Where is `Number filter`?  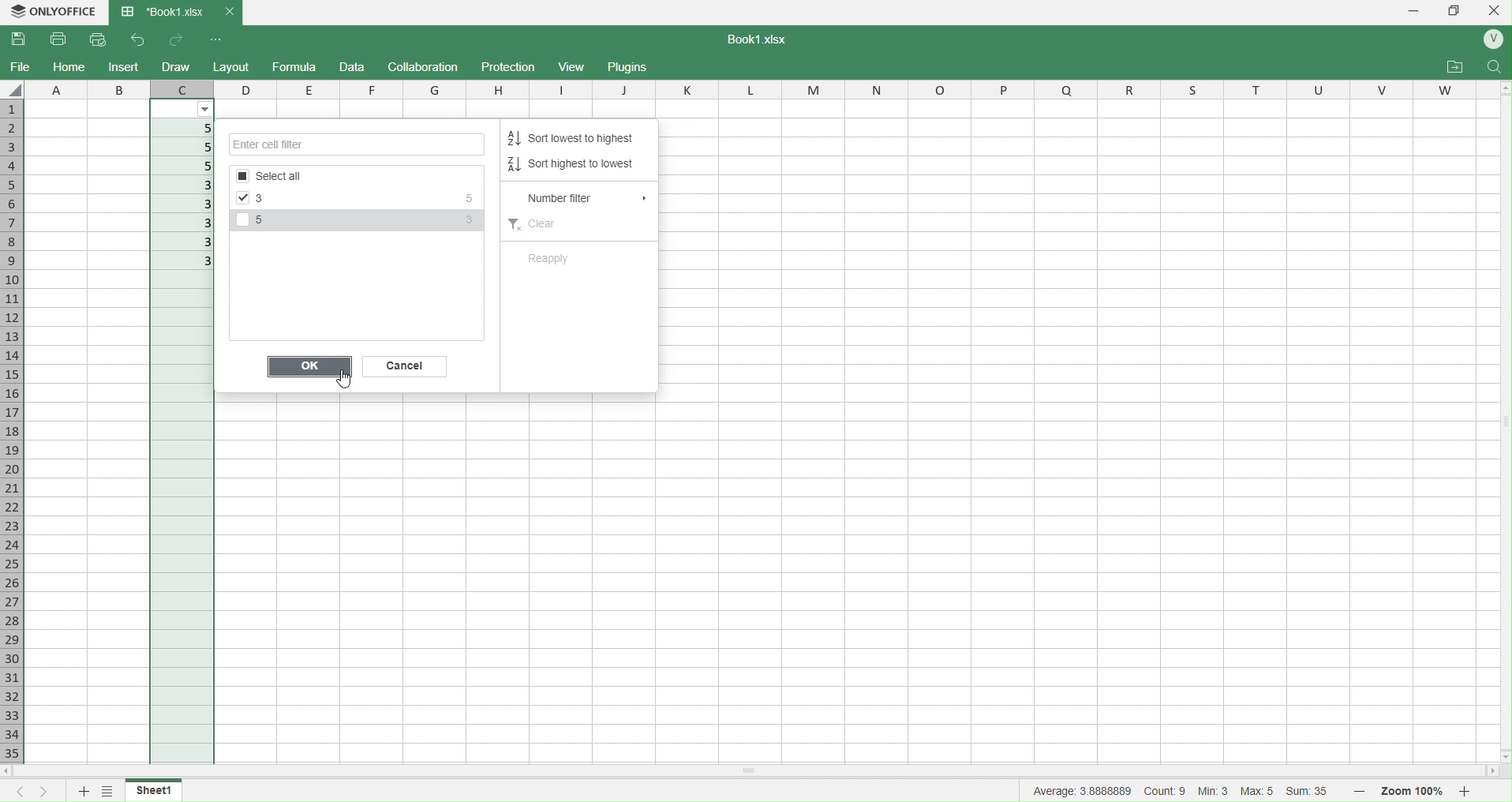 Number filter is located at coordinates (584, 199).